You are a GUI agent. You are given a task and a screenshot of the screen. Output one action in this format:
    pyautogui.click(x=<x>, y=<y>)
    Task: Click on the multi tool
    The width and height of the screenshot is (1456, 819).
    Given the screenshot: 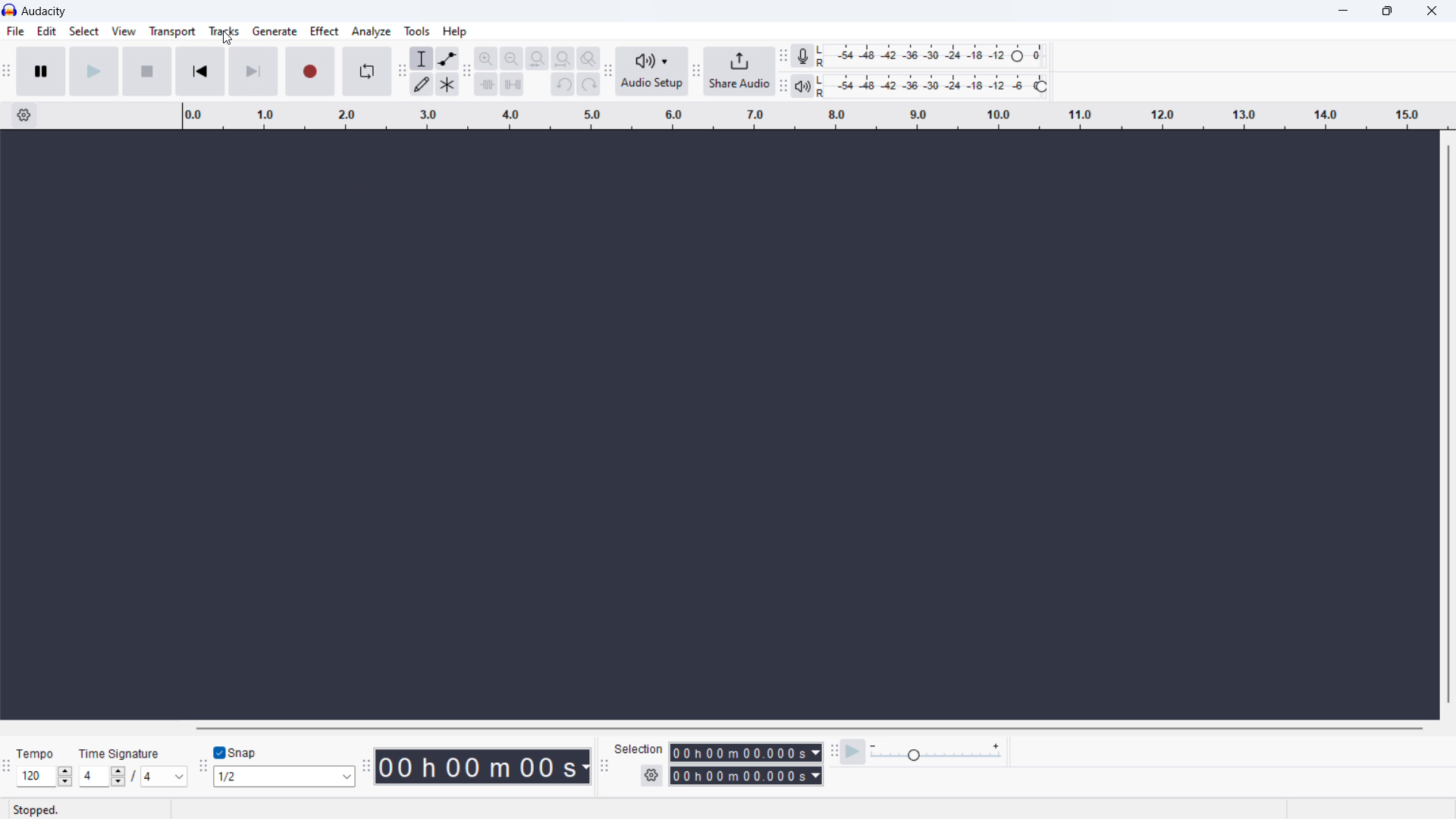 What is the action you would take?
    pyautogui.click(x=447, y=84)
    